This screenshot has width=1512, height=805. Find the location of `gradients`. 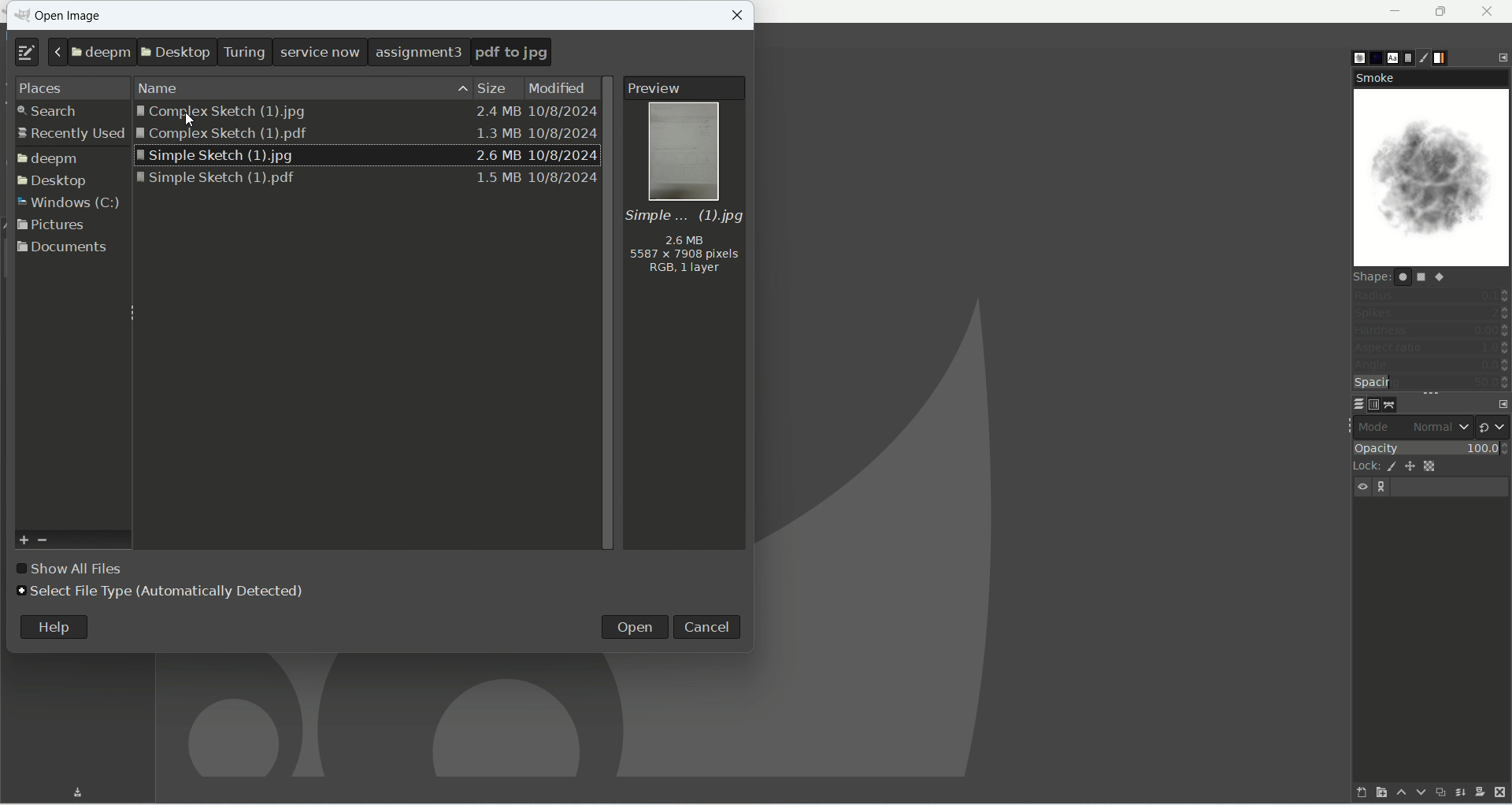

gradients is located at coordinates (1442, 58).